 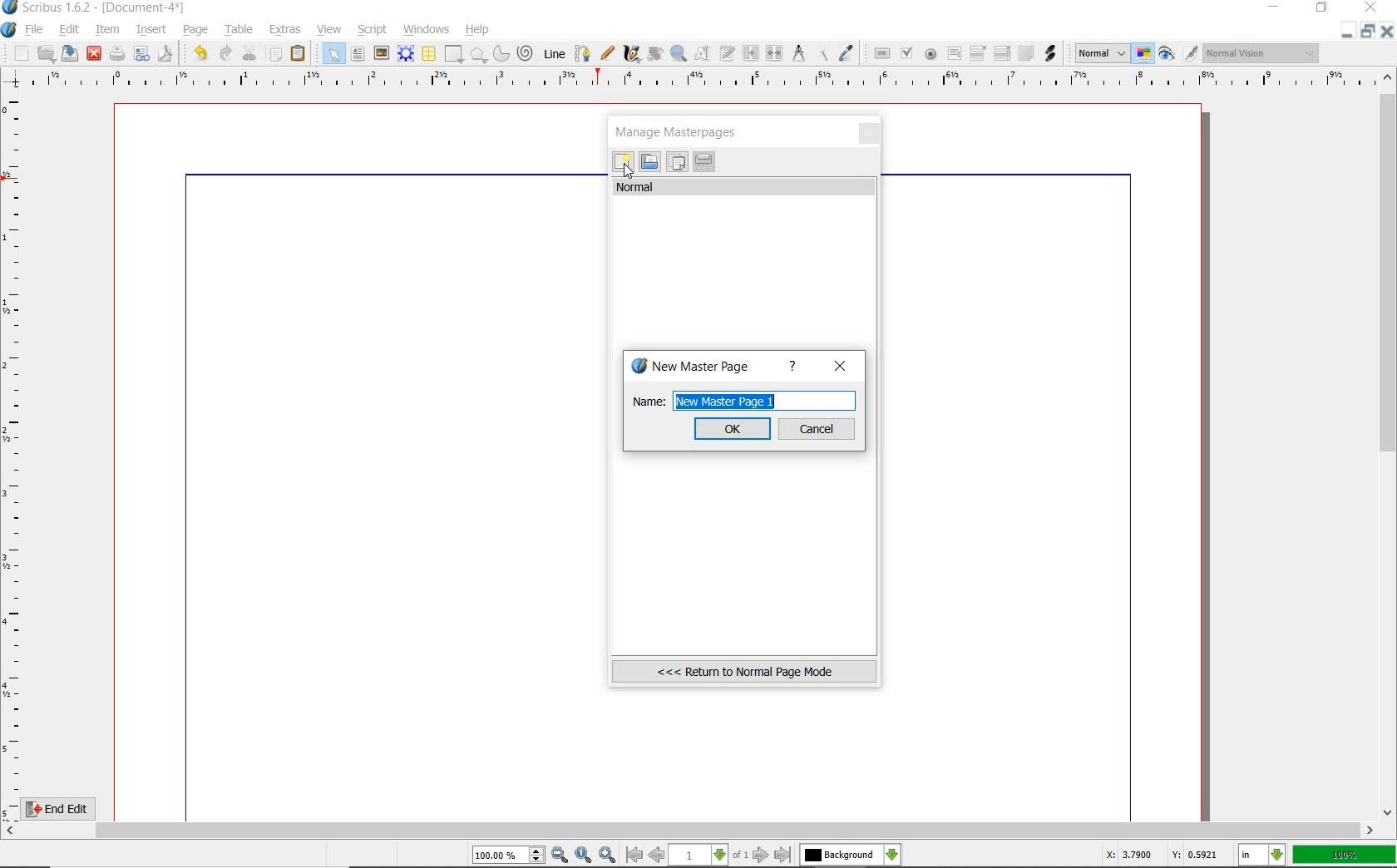 I want to click on redo, so click(x=225, y=52).